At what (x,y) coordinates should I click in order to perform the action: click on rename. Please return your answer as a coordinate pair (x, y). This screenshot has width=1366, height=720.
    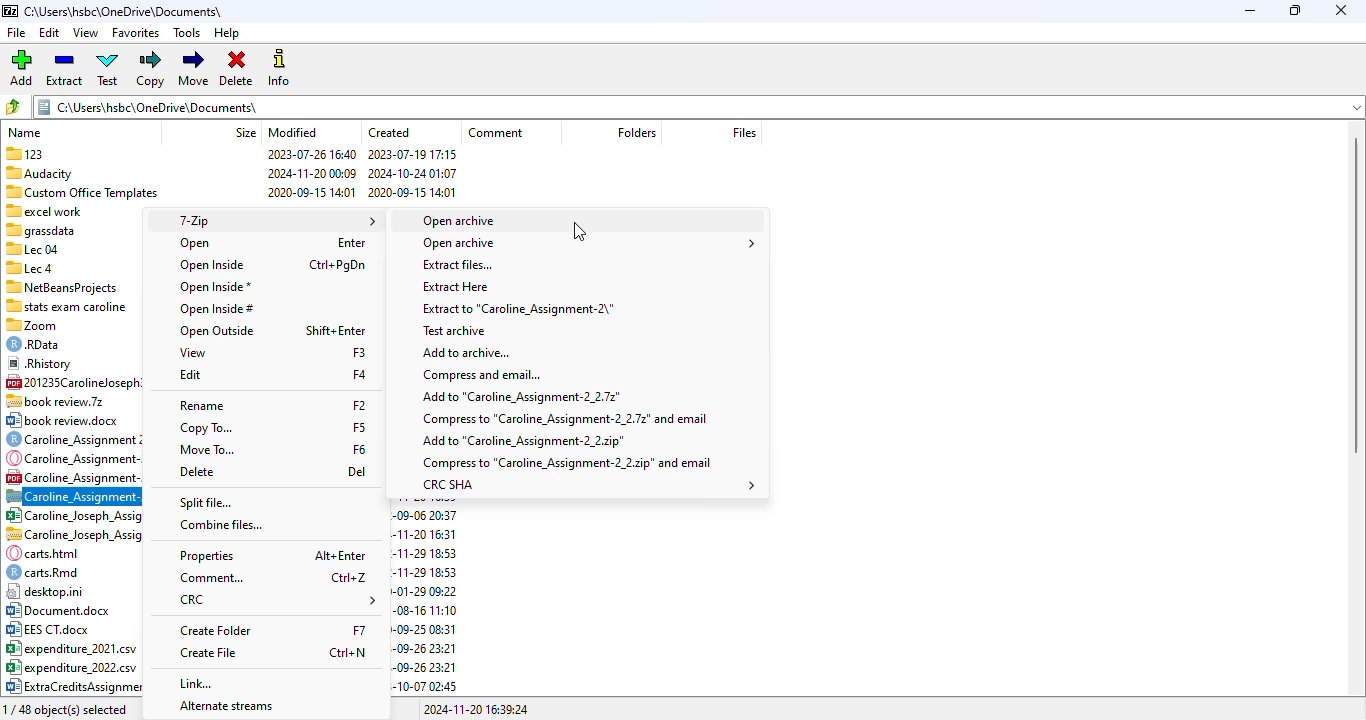
    Looking at the image, I should click on (201, 406).